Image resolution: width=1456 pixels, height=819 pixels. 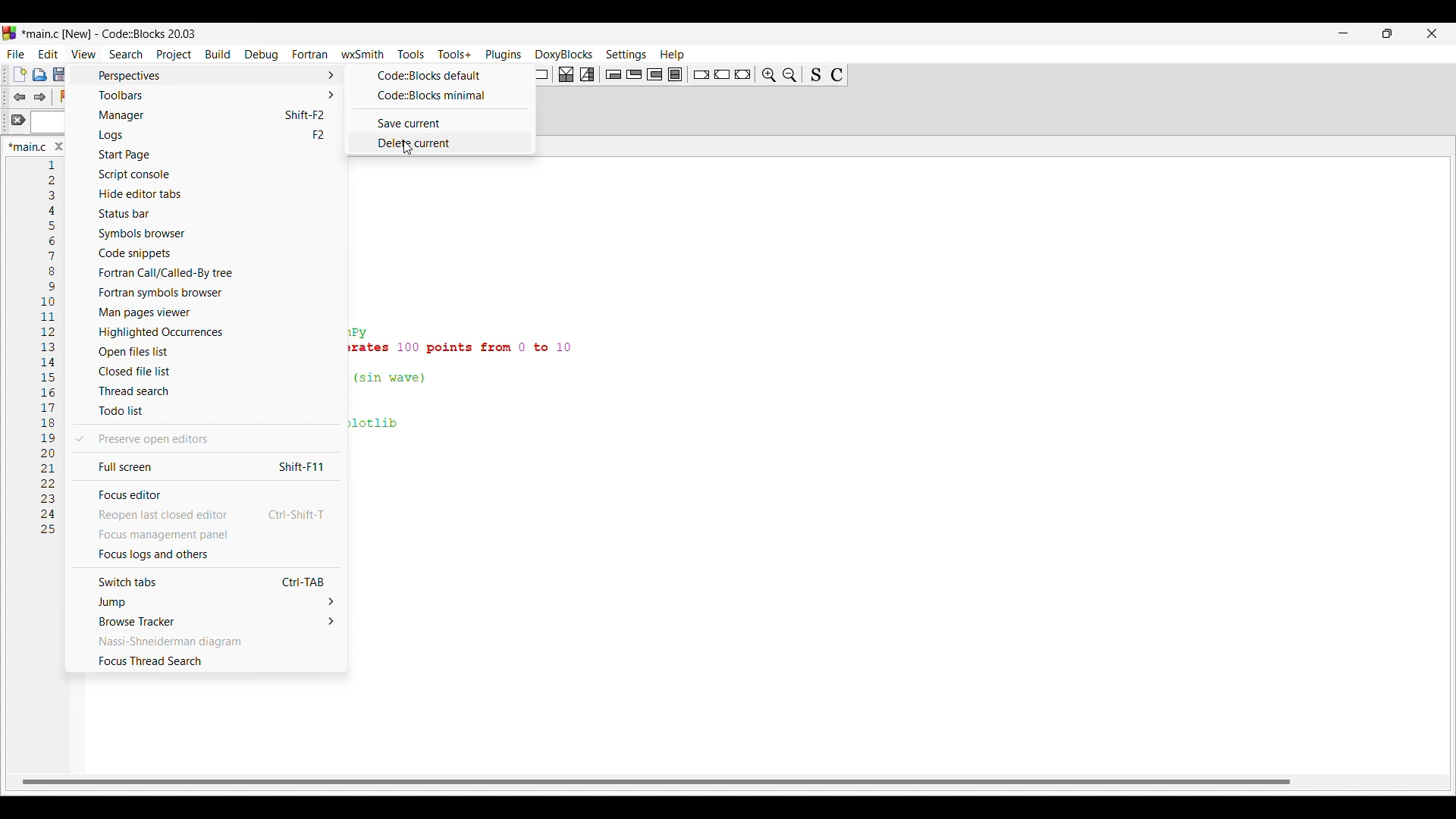 What do you see at coordinates (566, 74) in the screenshot?
I see `Decision` at bounding box center [566, 74].